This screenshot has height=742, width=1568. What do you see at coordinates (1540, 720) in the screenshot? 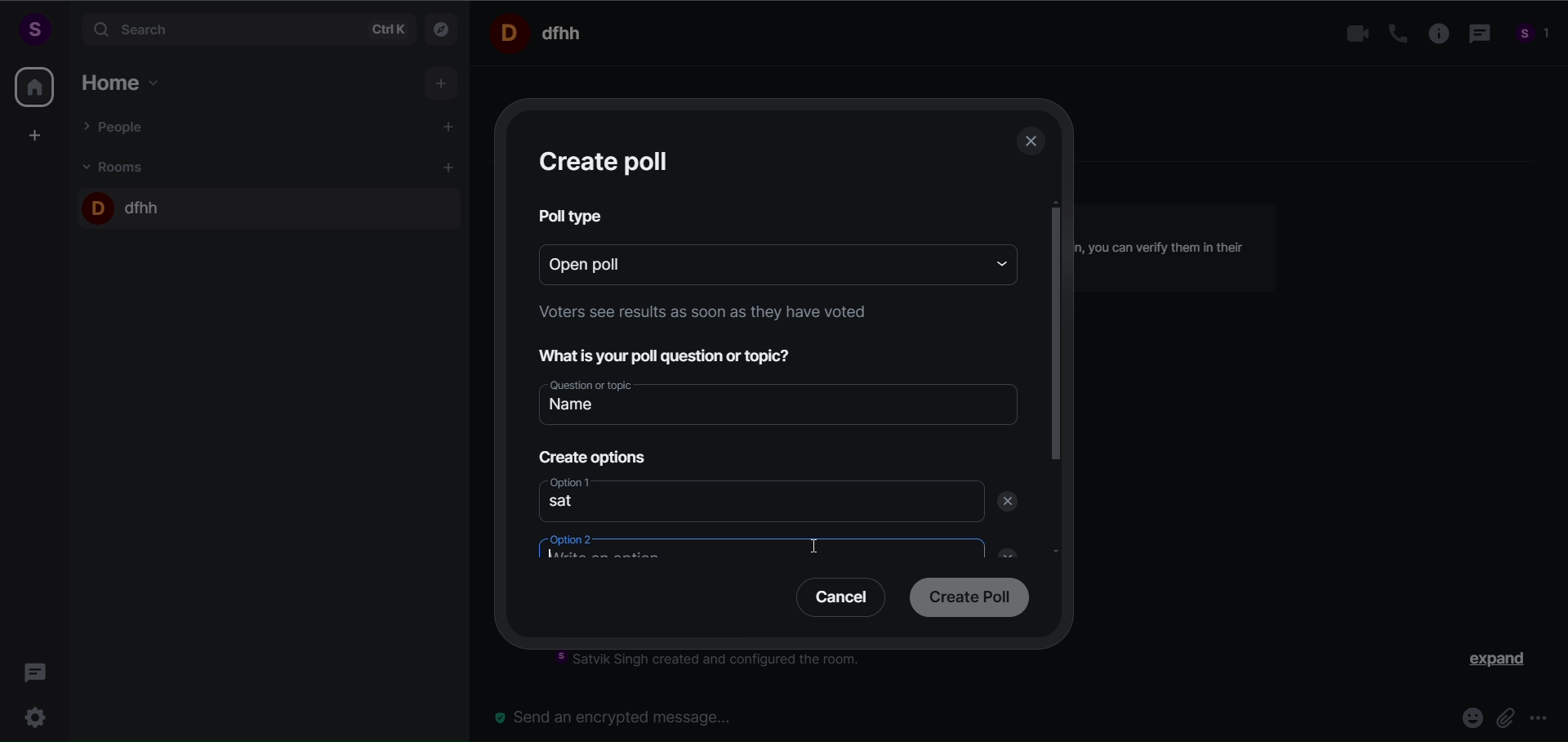
I see `more options` at bounding box center [1540, 720].